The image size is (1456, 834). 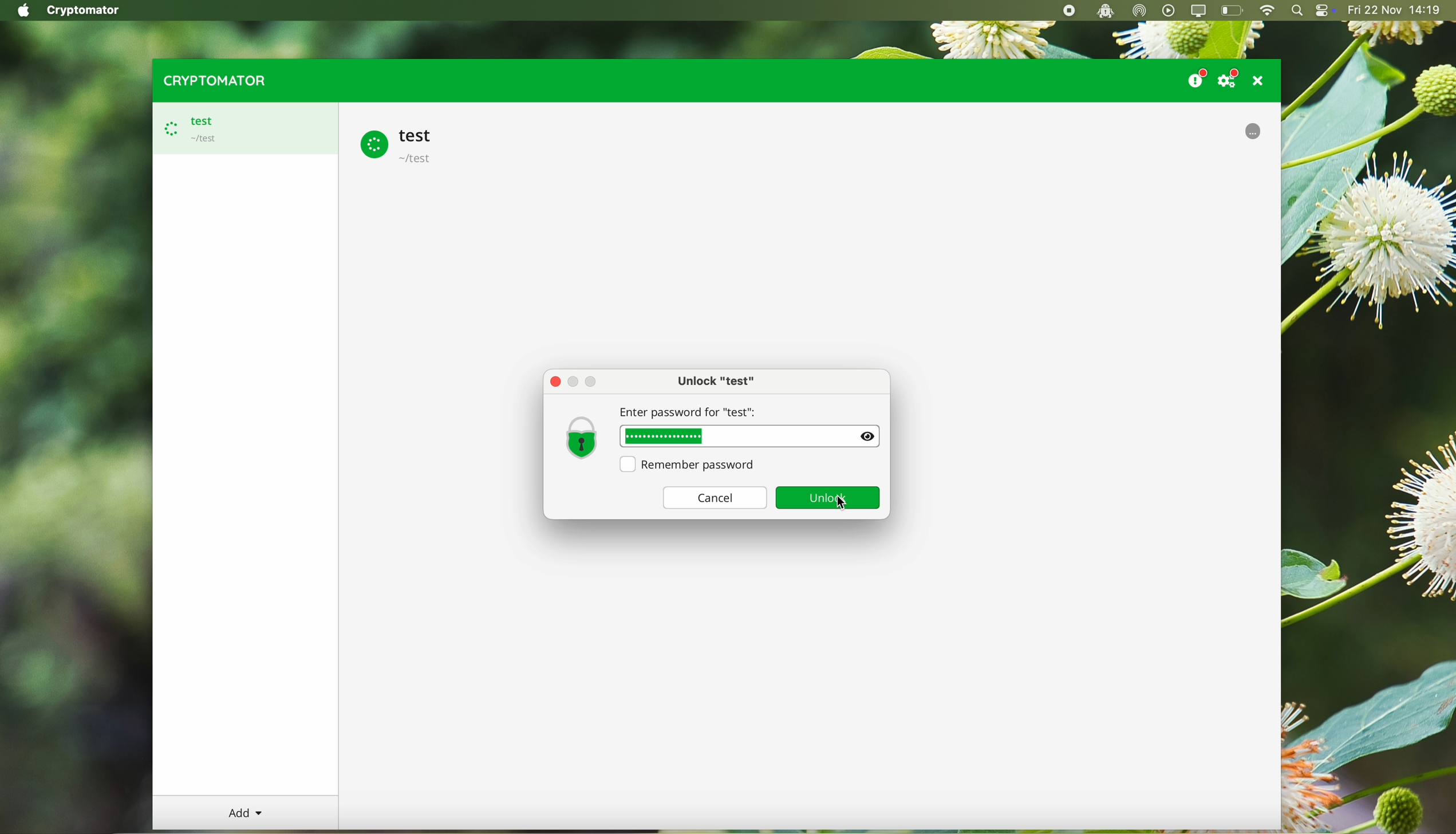 I want to click on donate, so click(x=1195, y=76).